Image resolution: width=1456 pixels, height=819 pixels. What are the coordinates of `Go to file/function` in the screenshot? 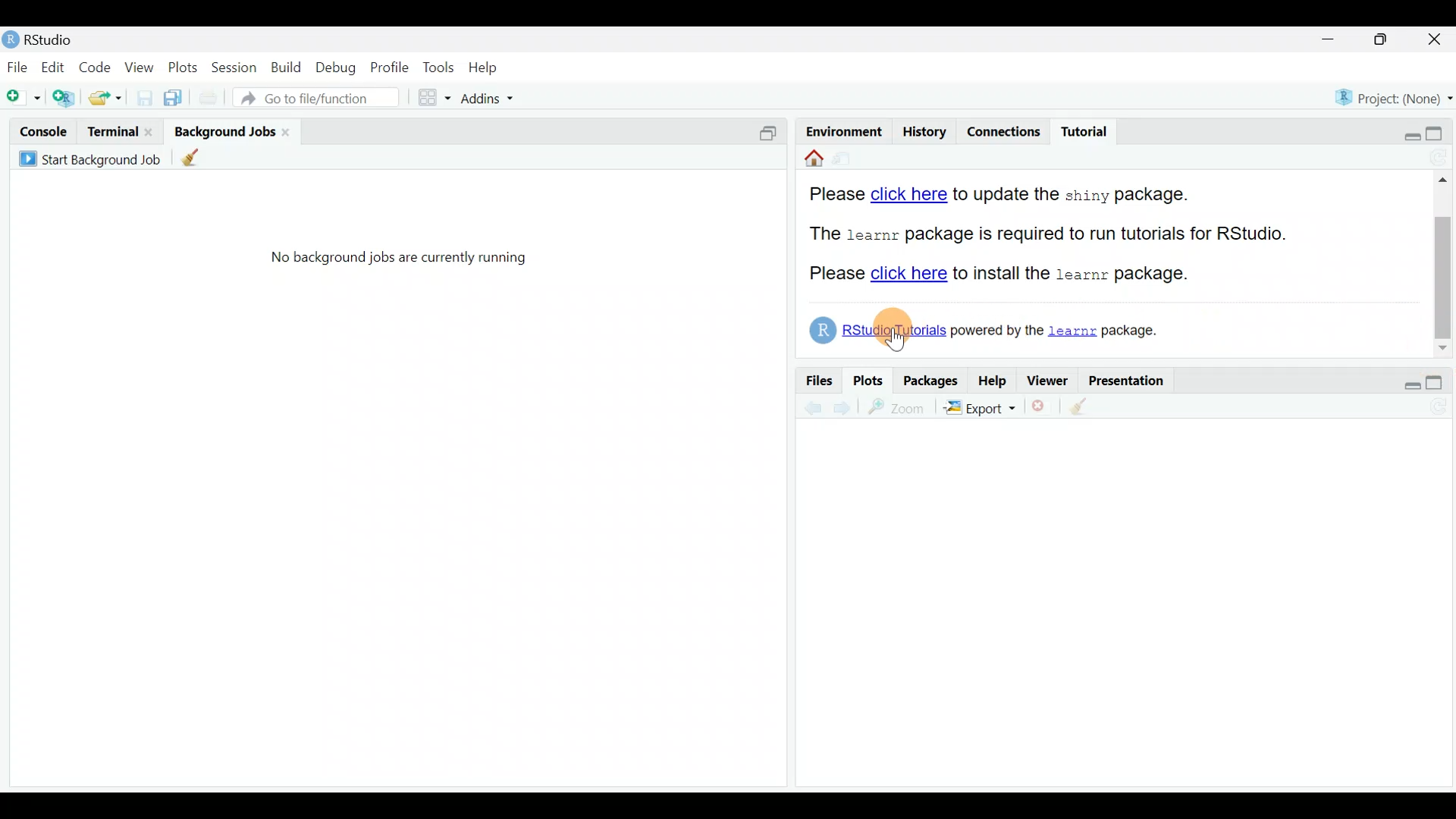 It's located at (322, 99).